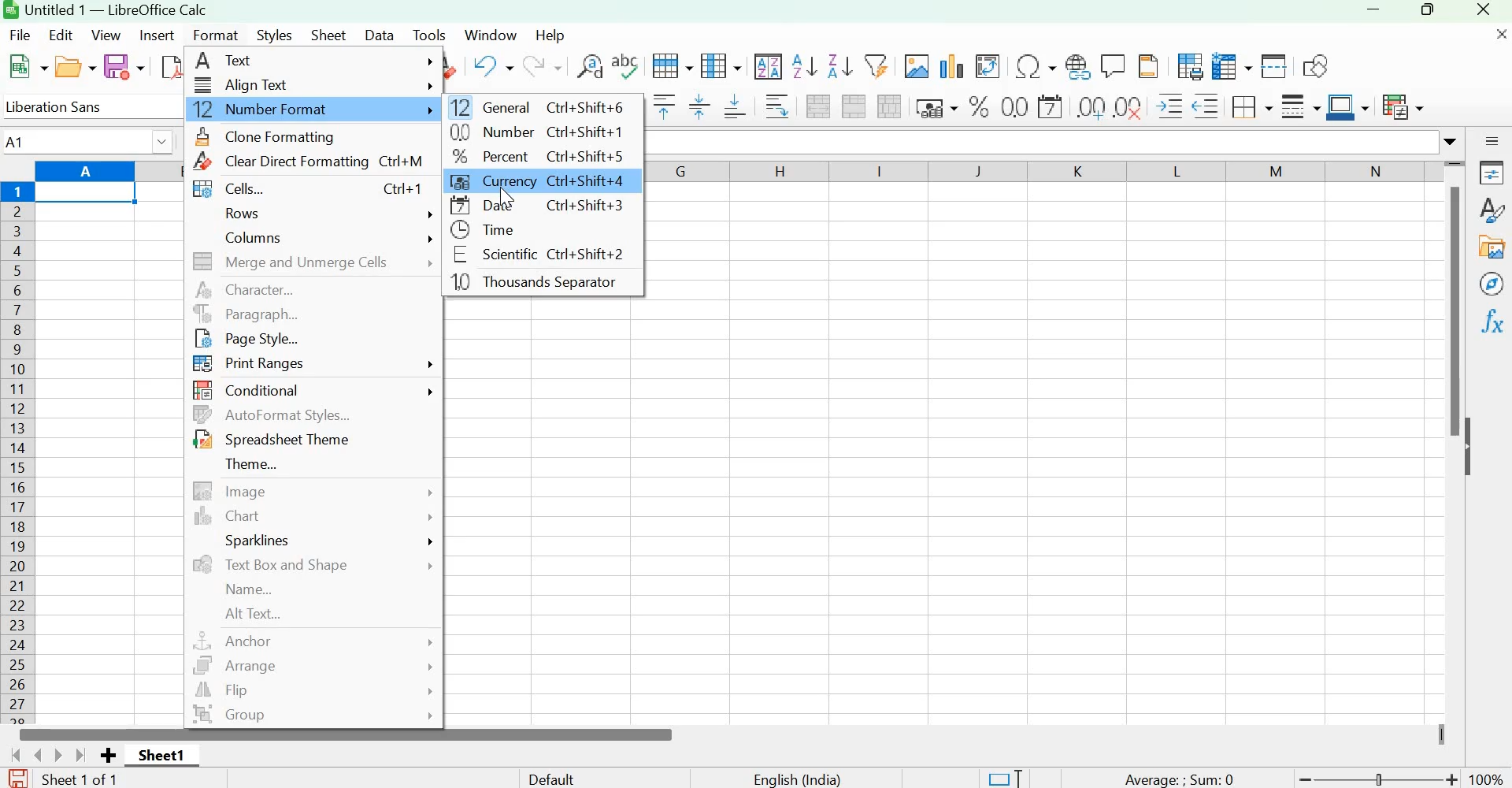 This screenshot has width=1512, height=788. What do you see at coordinates (1042, 444) in the screenshot?
I see `workspace` at bounding box center [1042, 444].